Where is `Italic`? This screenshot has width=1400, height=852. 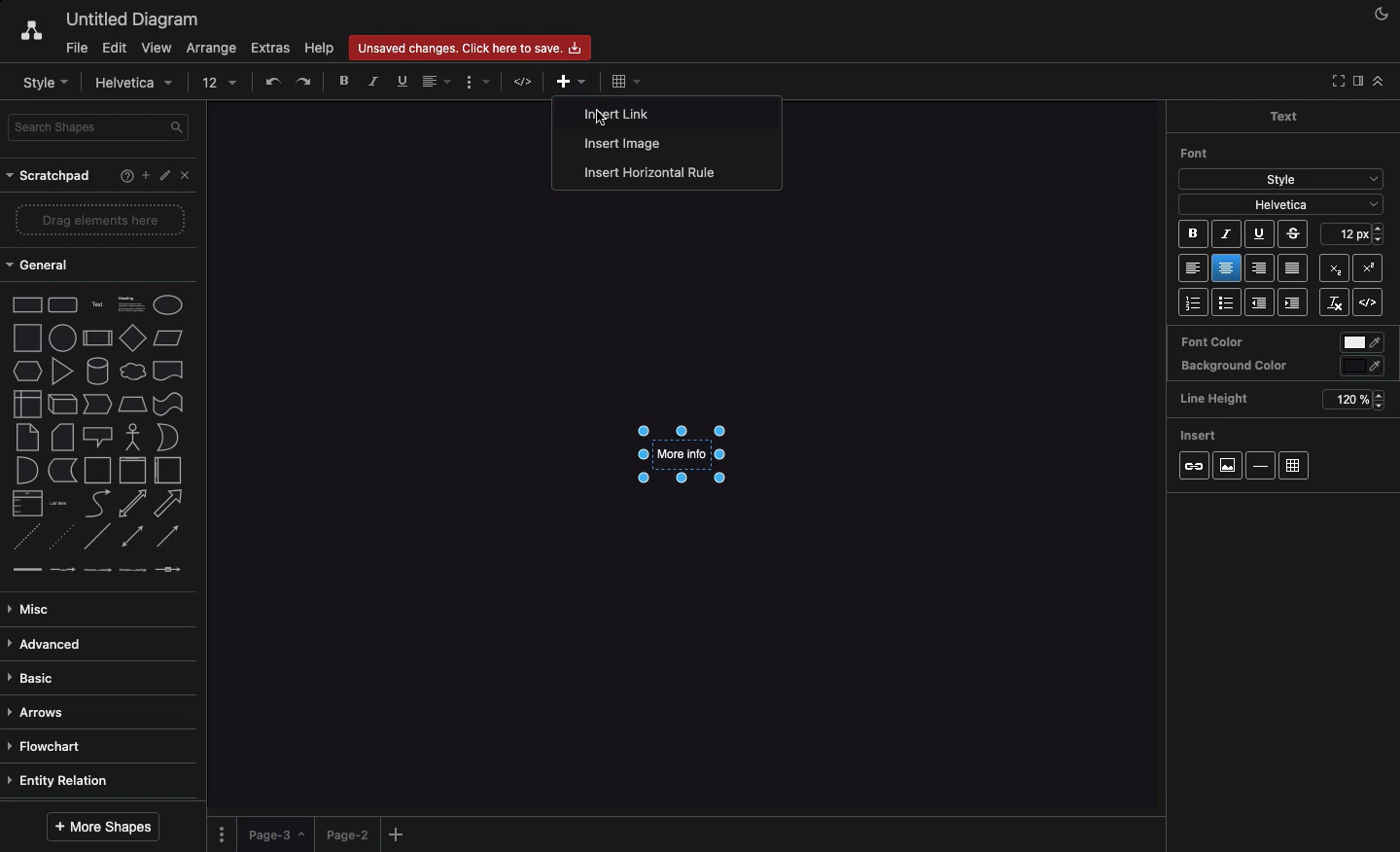 Italic is located at coordinates (1226, 234).